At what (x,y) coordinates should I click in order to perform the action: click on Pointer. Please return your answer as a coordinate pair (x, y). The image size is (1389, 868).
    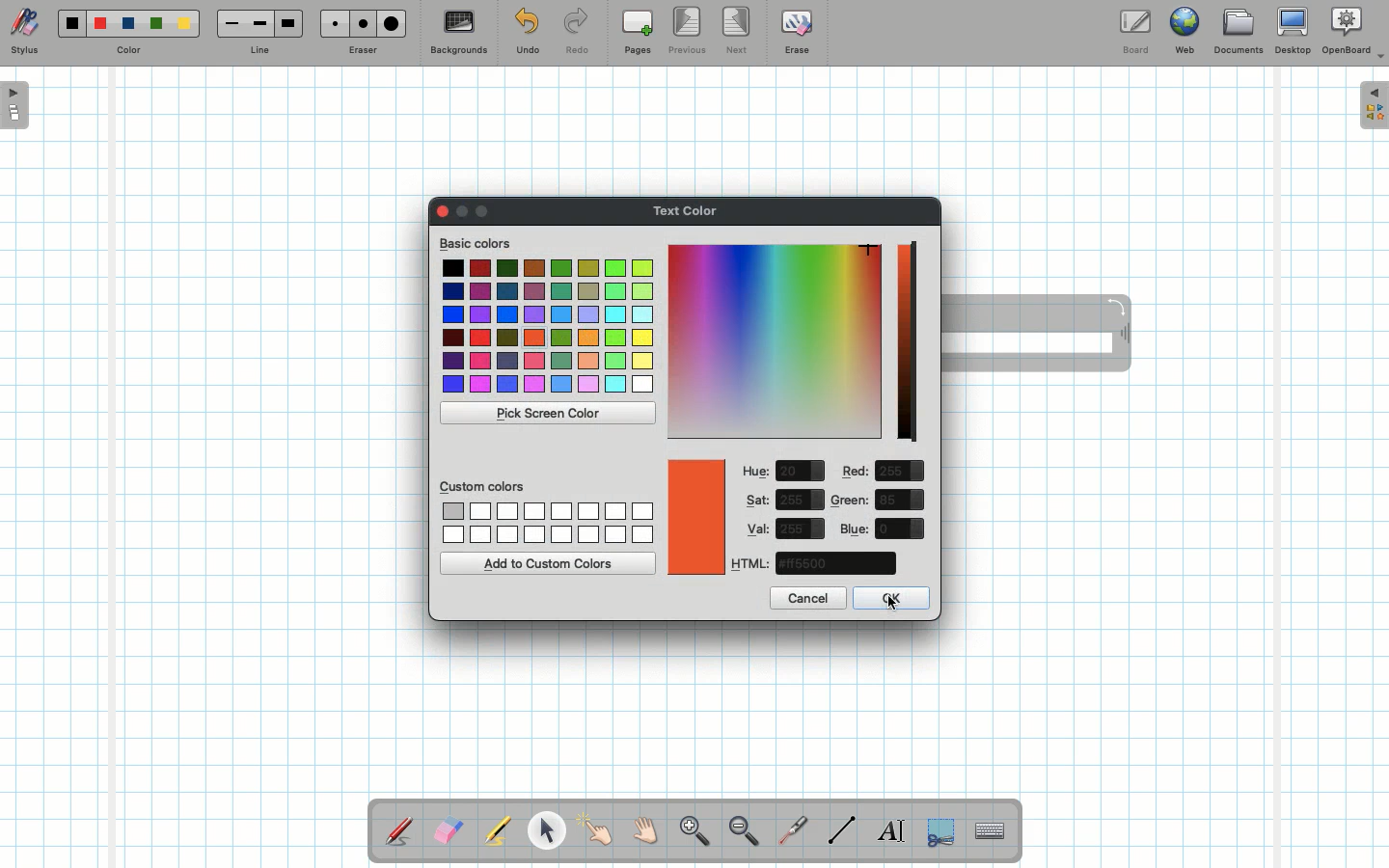
    Looking at the image, I should click on (596, 830).